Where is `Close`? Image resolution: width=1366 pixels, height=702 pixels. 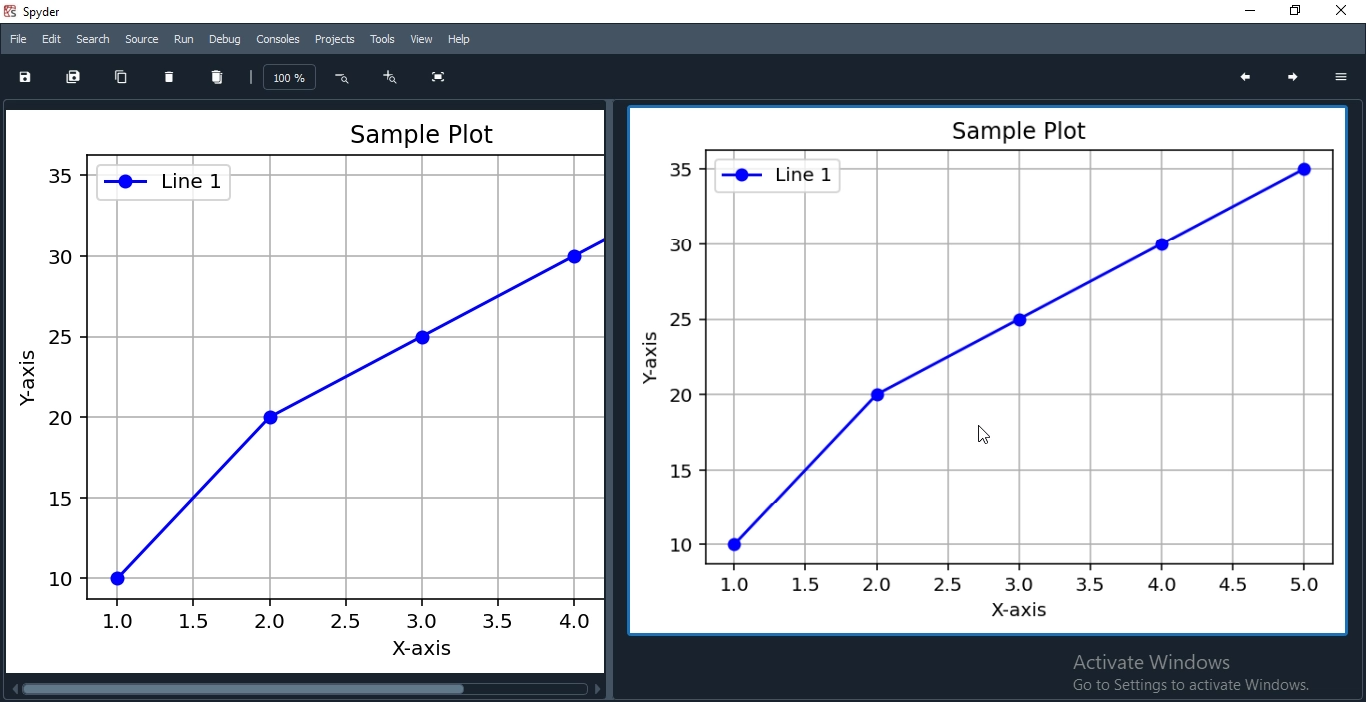
Close is located at coordinates (1342, 13).